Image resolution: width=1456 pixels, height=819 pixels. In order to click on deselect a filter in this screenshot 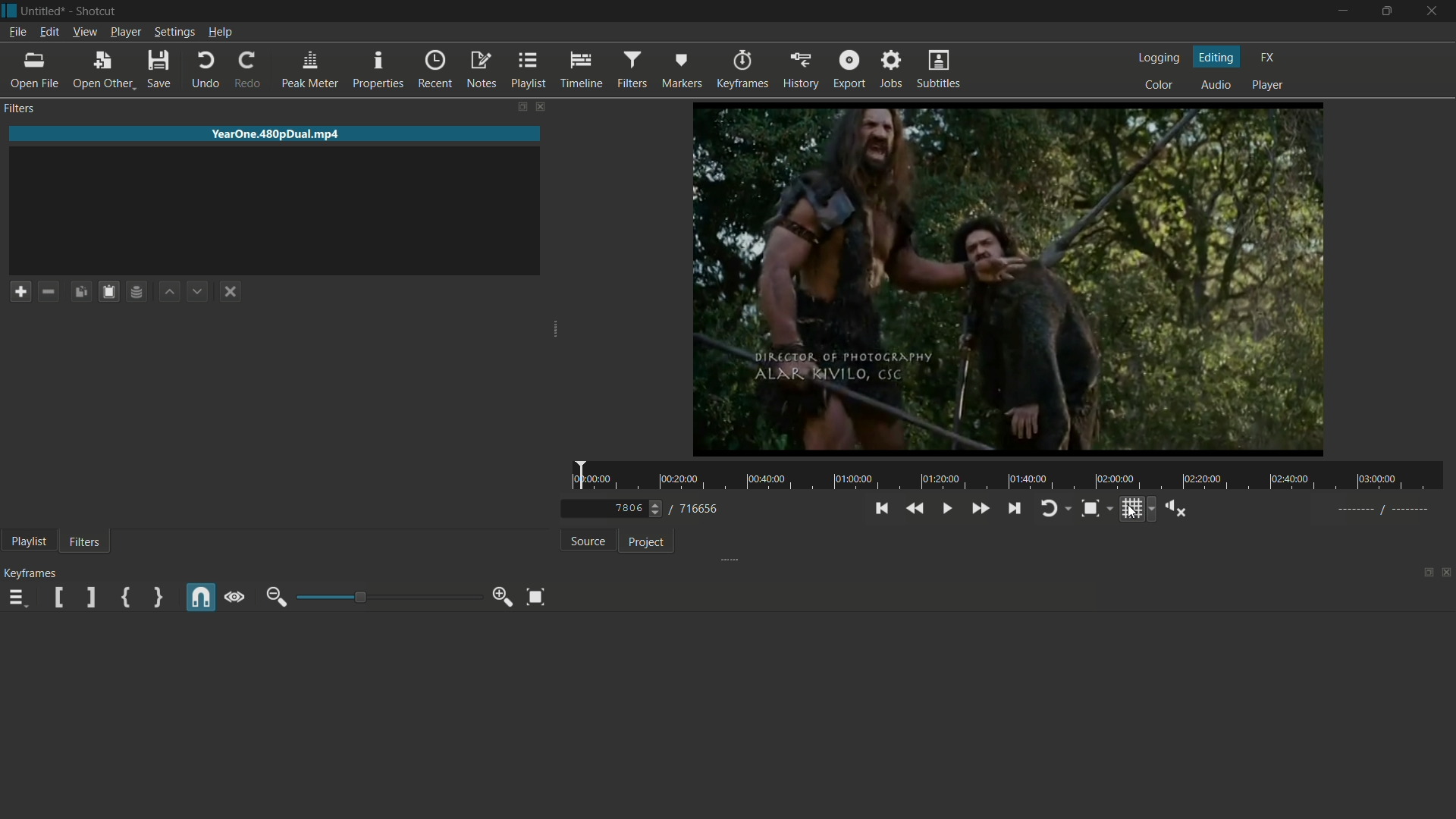, I will do `click(232, 291)`.